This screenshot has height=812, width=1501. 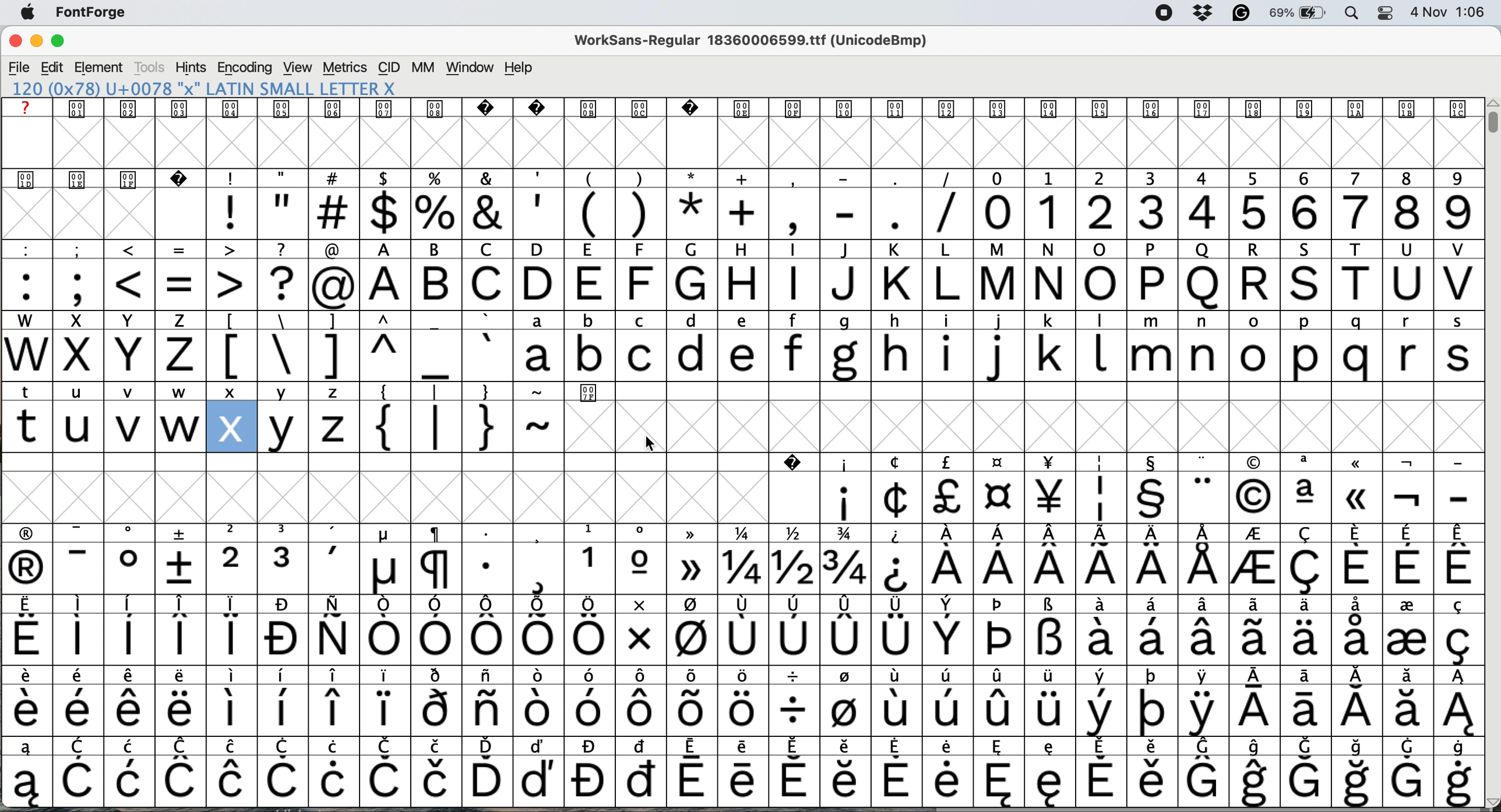 I want to click on fontforge, so click(x=96, y=15).